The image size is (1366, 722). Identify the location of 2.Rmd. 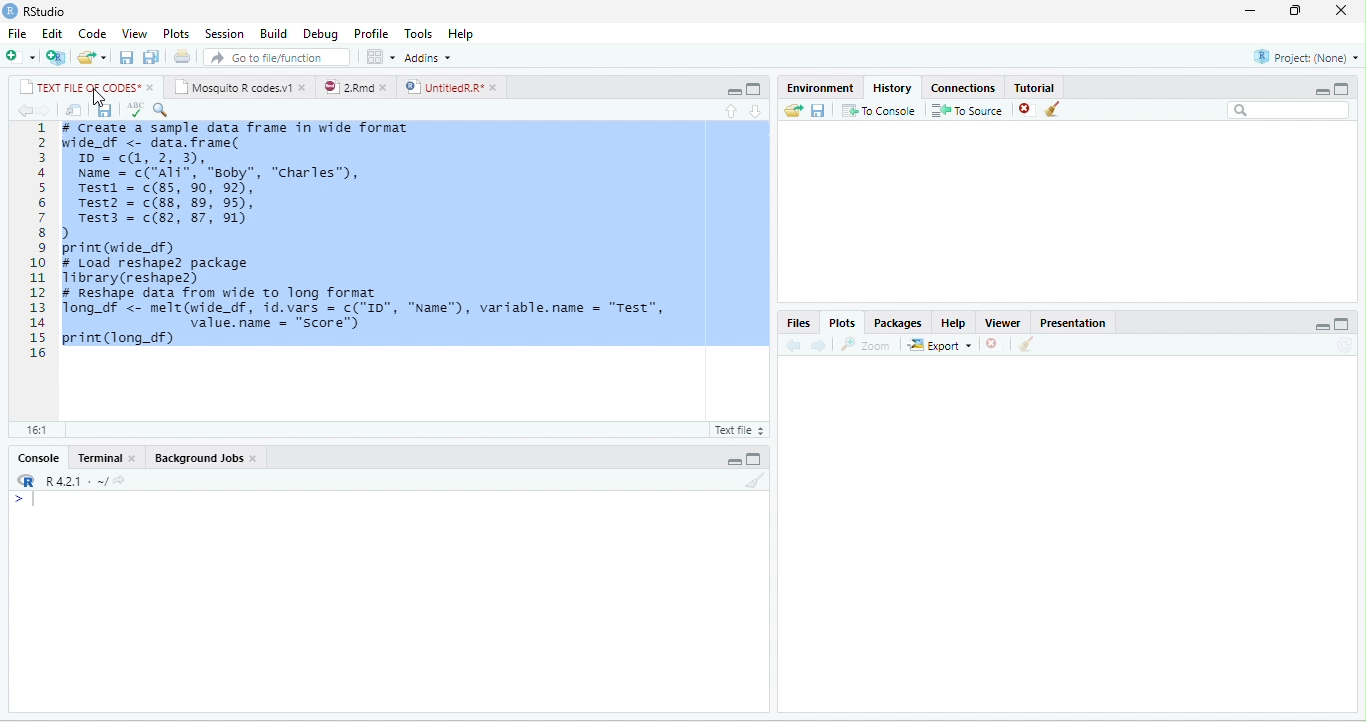
(348, 87).